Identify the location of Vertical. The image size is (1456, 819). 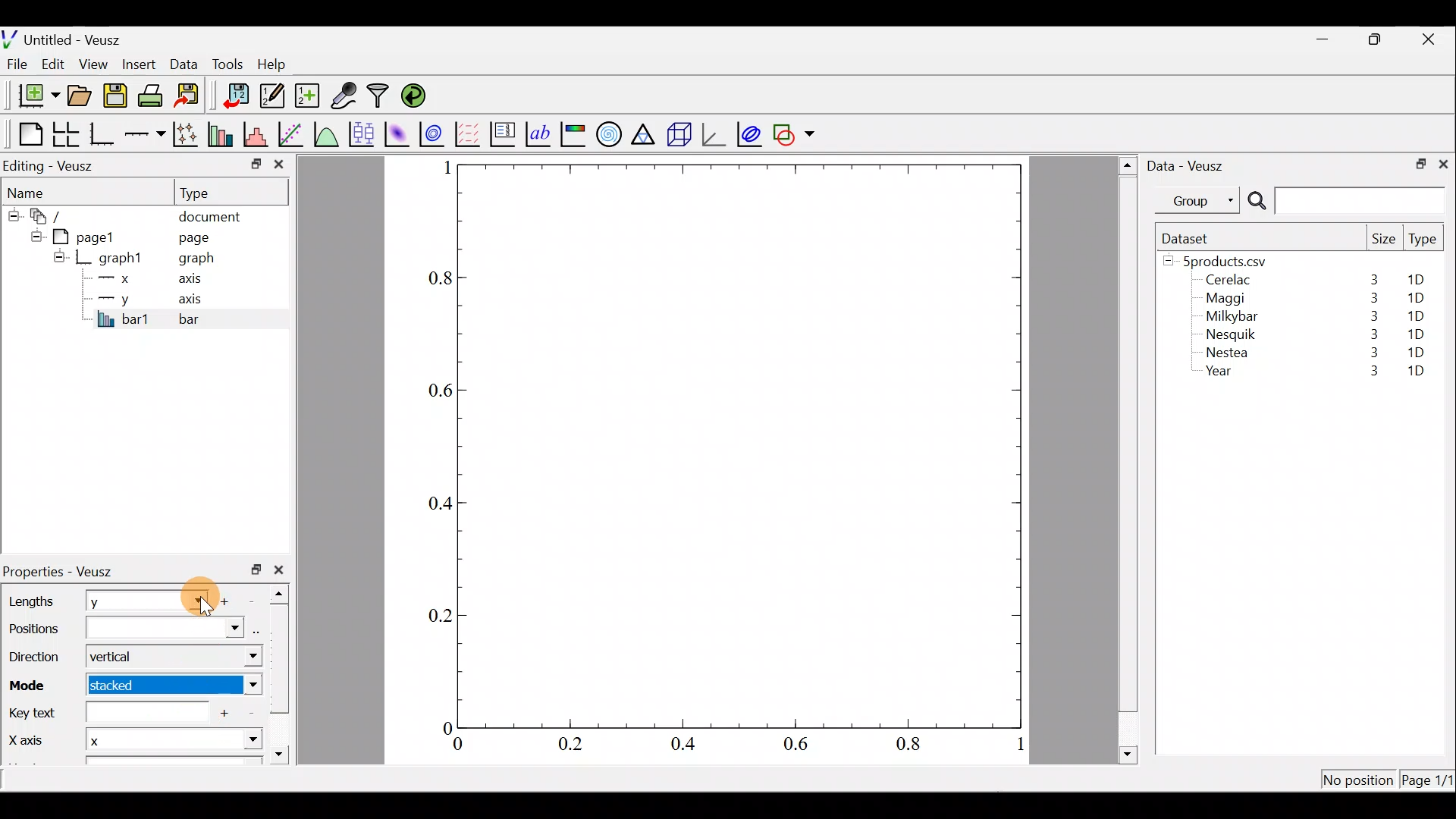
(120, 658).